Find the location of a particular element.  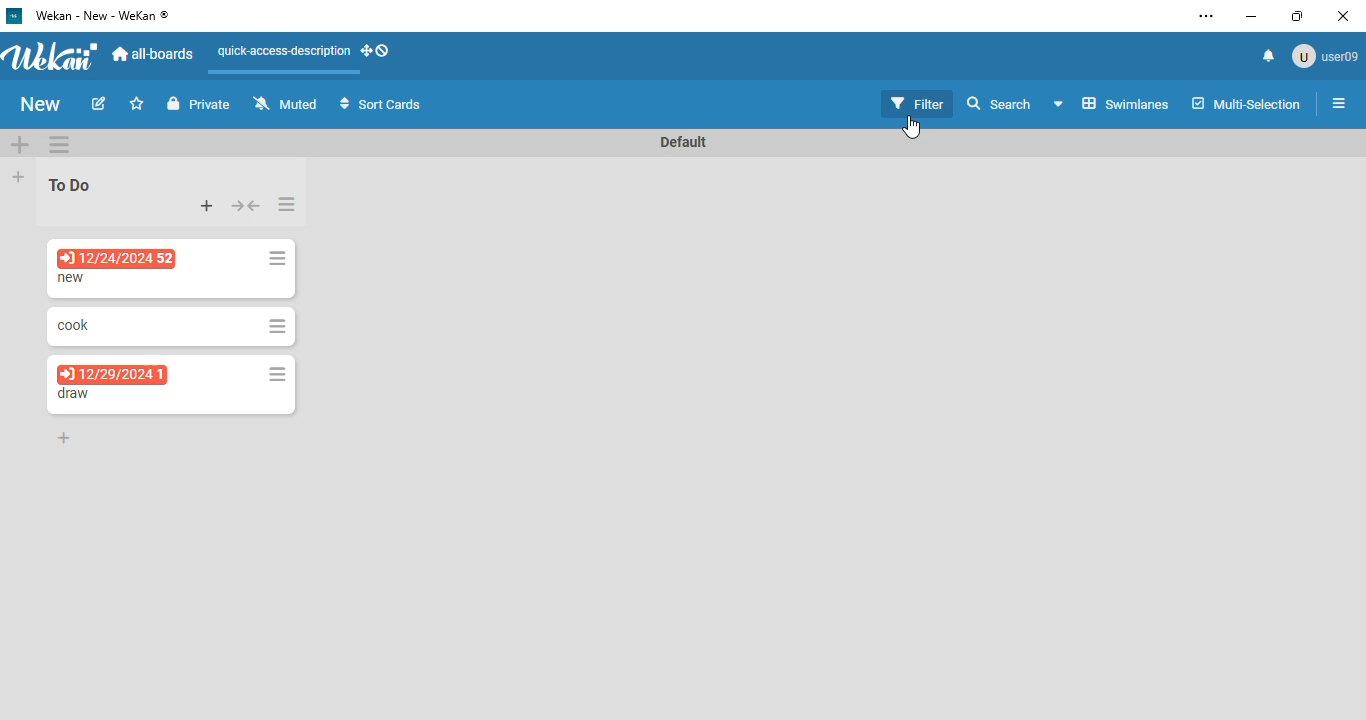

private is located at coordinates (199, 103).